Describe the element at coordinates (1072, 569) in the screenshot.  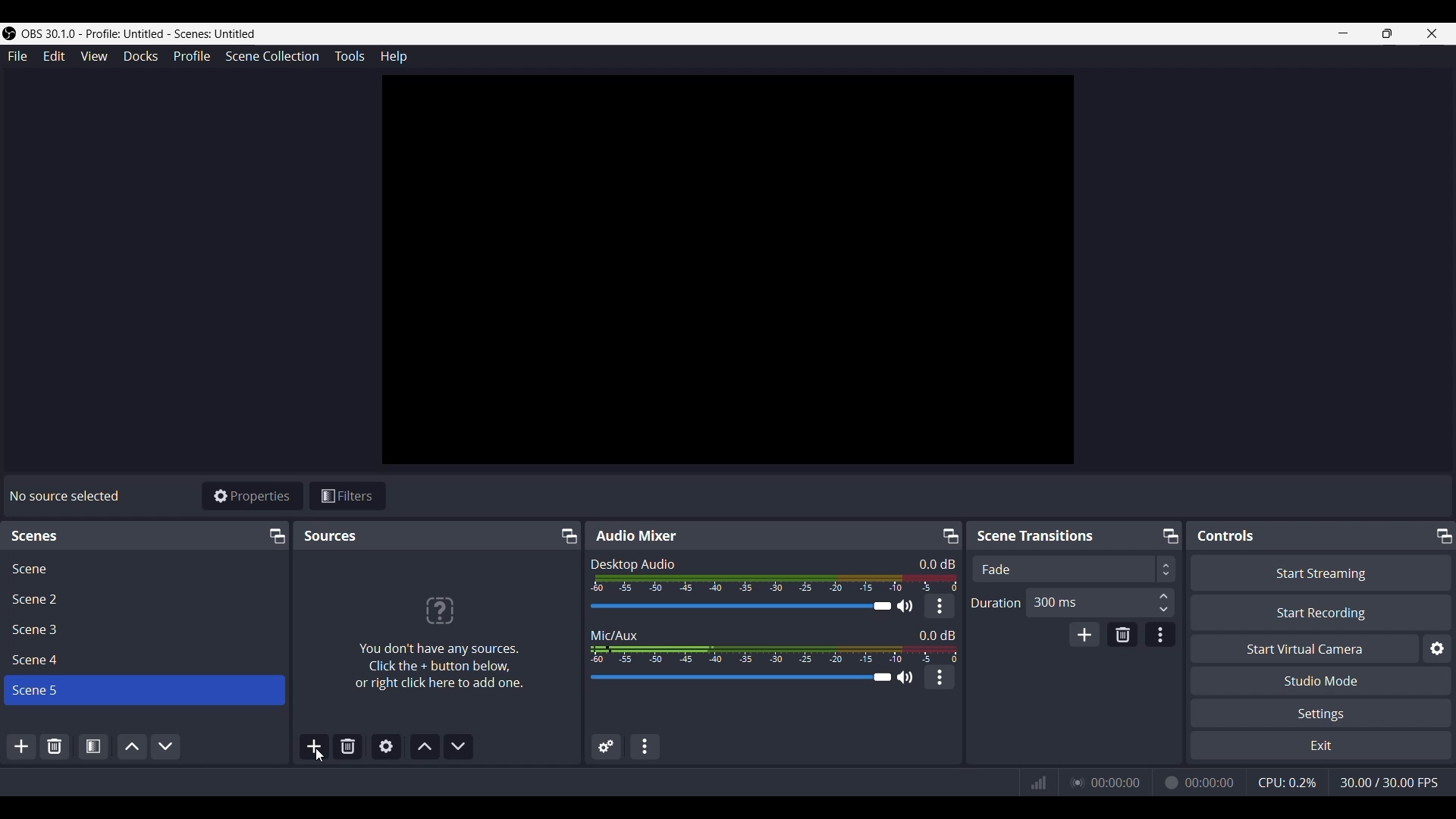
I see `Scene Transition adjuster` at that location.